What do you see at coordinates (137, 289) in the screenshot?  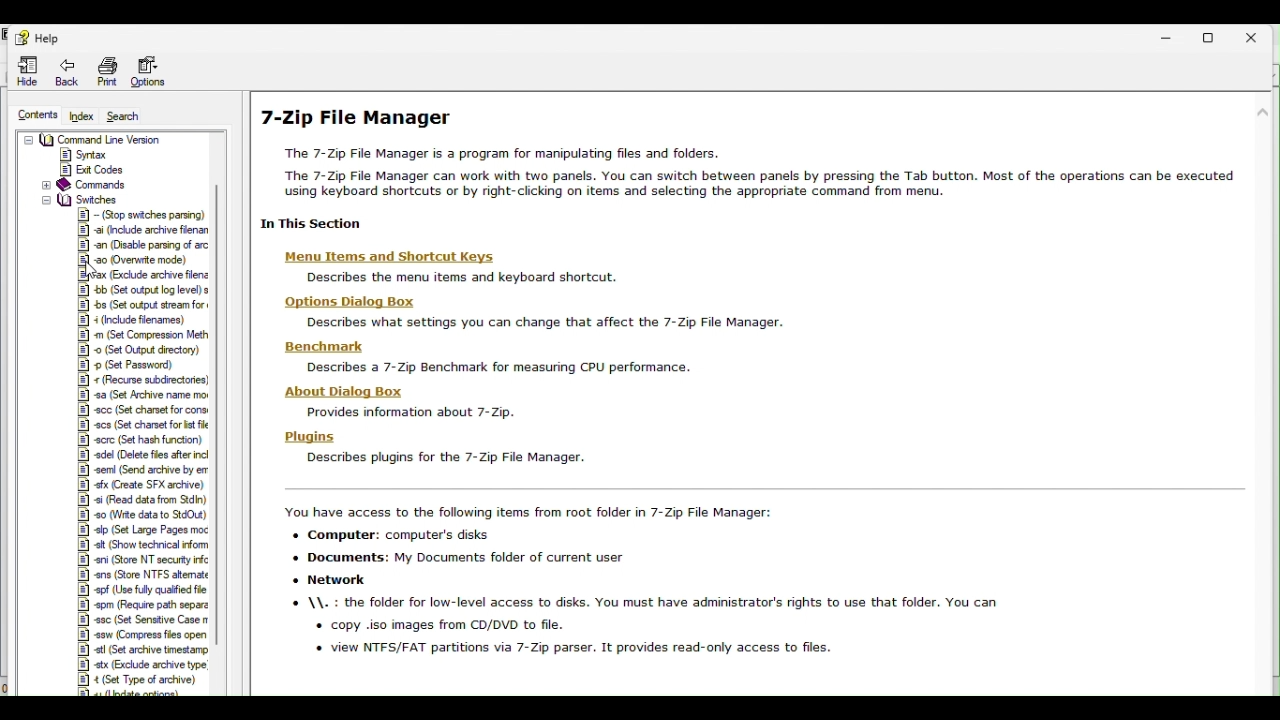 I see `|1E] bb (Set output log level) s` at bounding box center [137, 289].